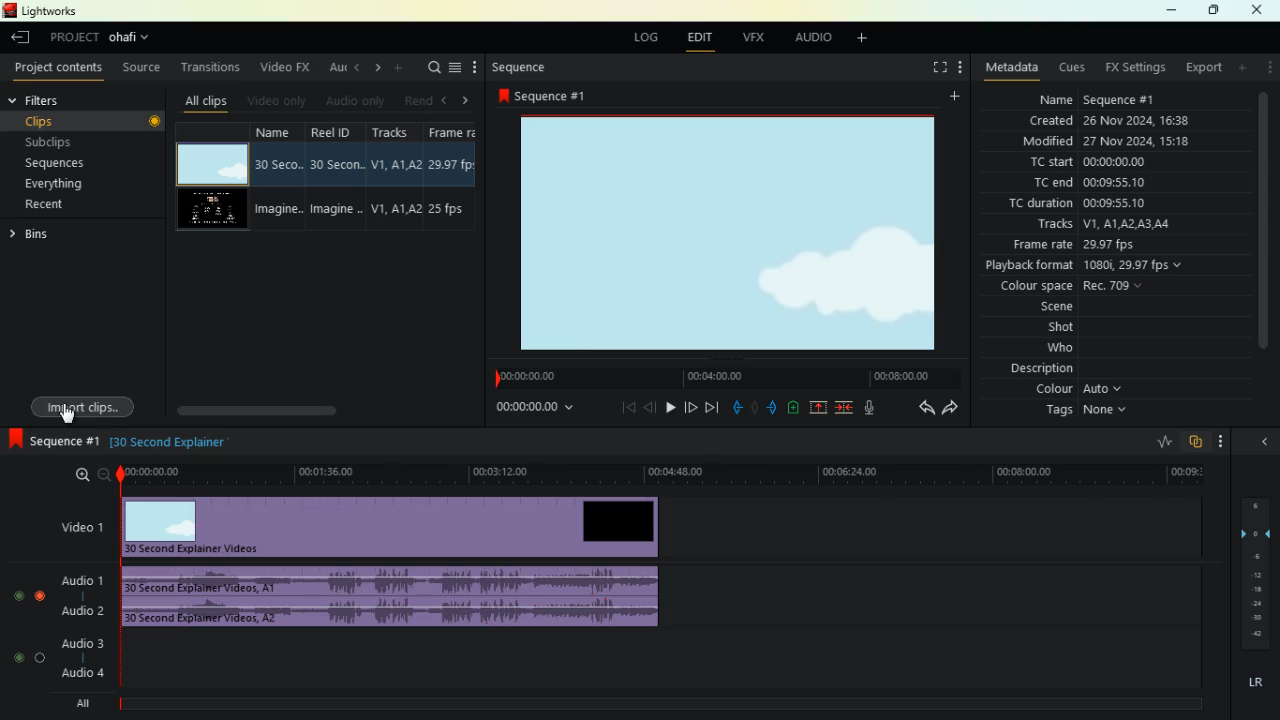  Describe the element at coordinates (1074, 68) in the screenshot. I see `cues` at that location.